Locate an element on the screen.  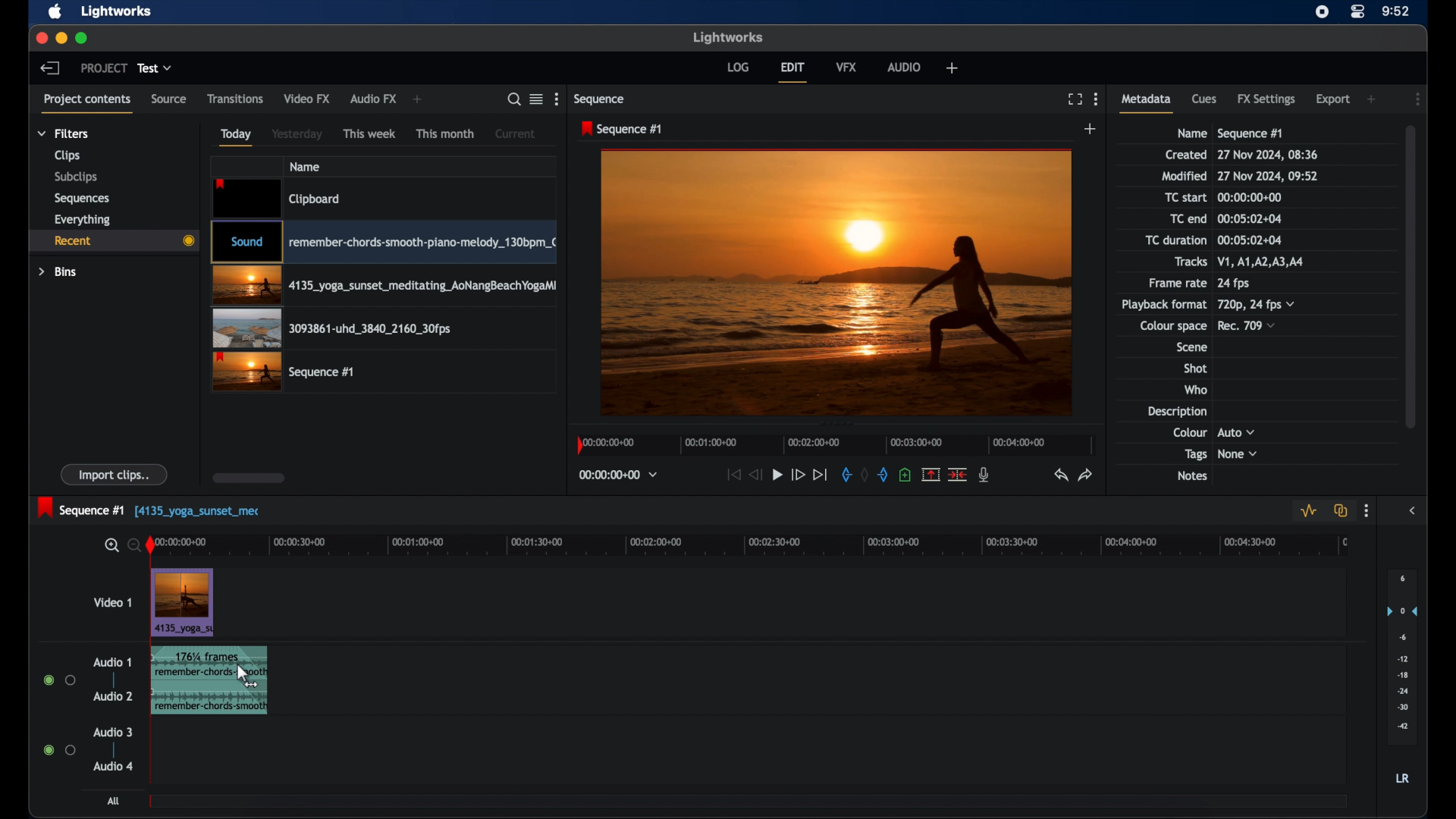
none is located at coordinates (1238, 454).